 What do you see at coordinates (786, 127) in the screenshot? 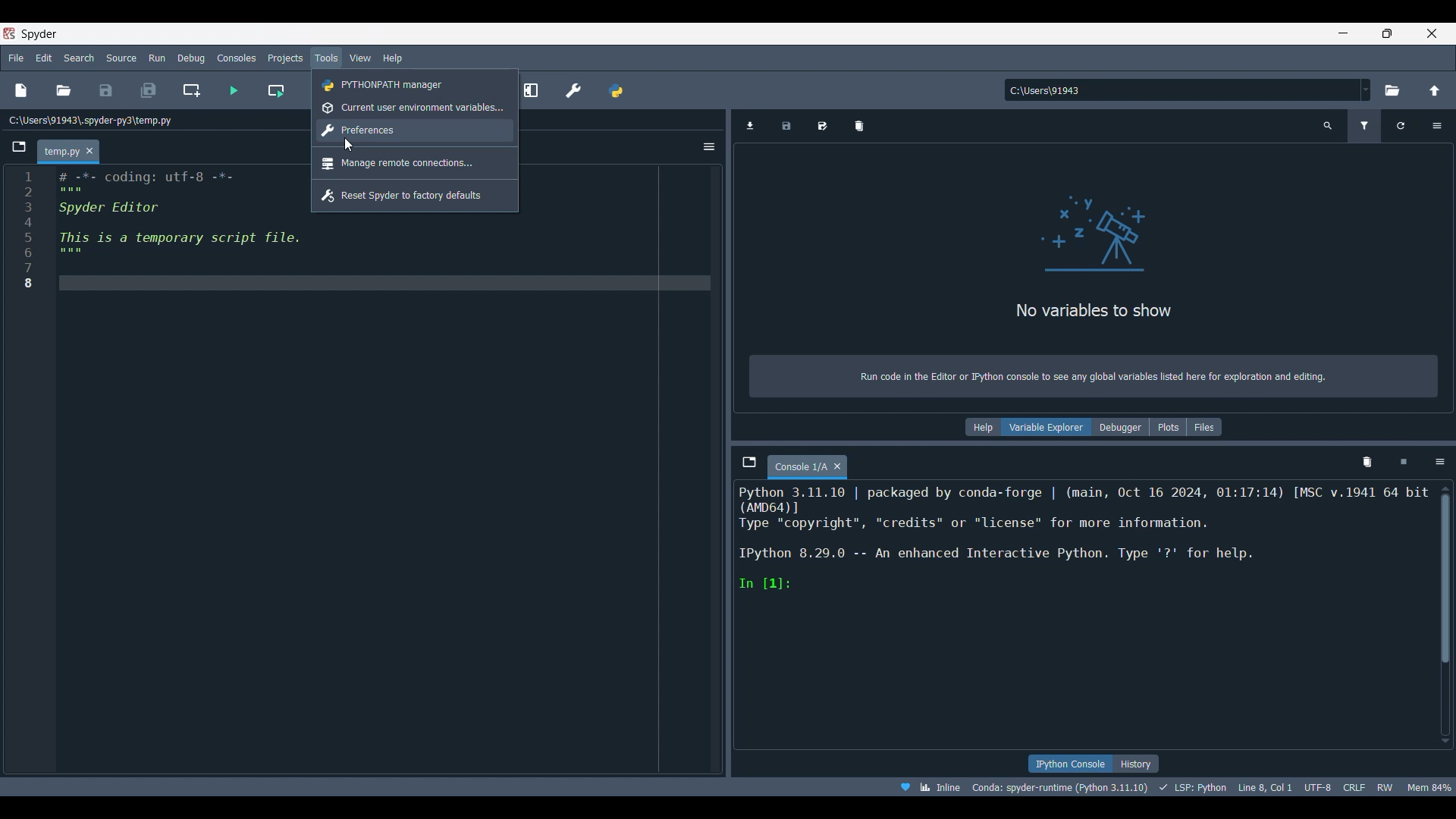
I see `Save data` at bounding box center [786, 127].